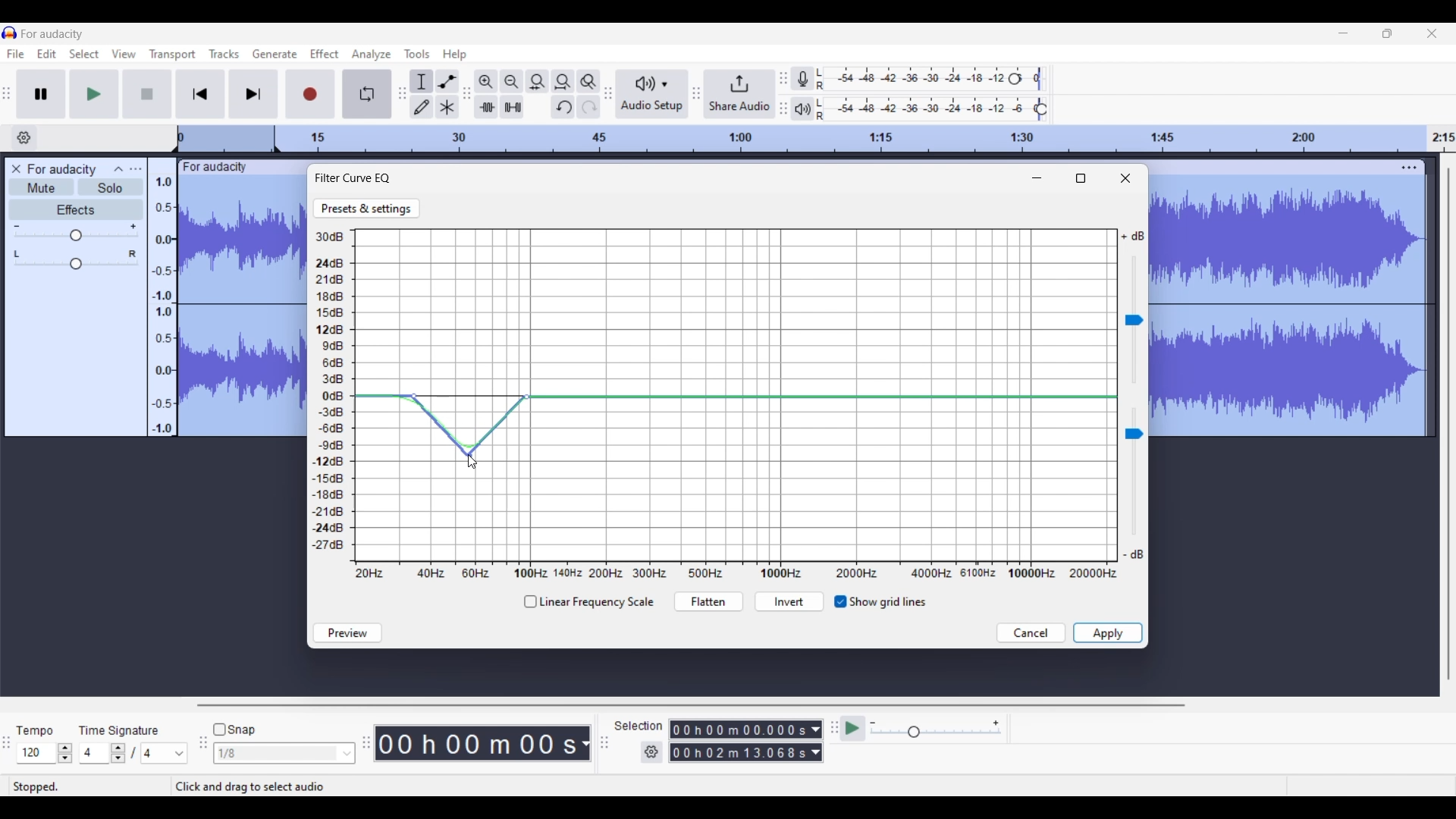  What do you see at coordinates (133, 254) in the screenshot?
I see `Pan right` at bounding box center [133, 254].